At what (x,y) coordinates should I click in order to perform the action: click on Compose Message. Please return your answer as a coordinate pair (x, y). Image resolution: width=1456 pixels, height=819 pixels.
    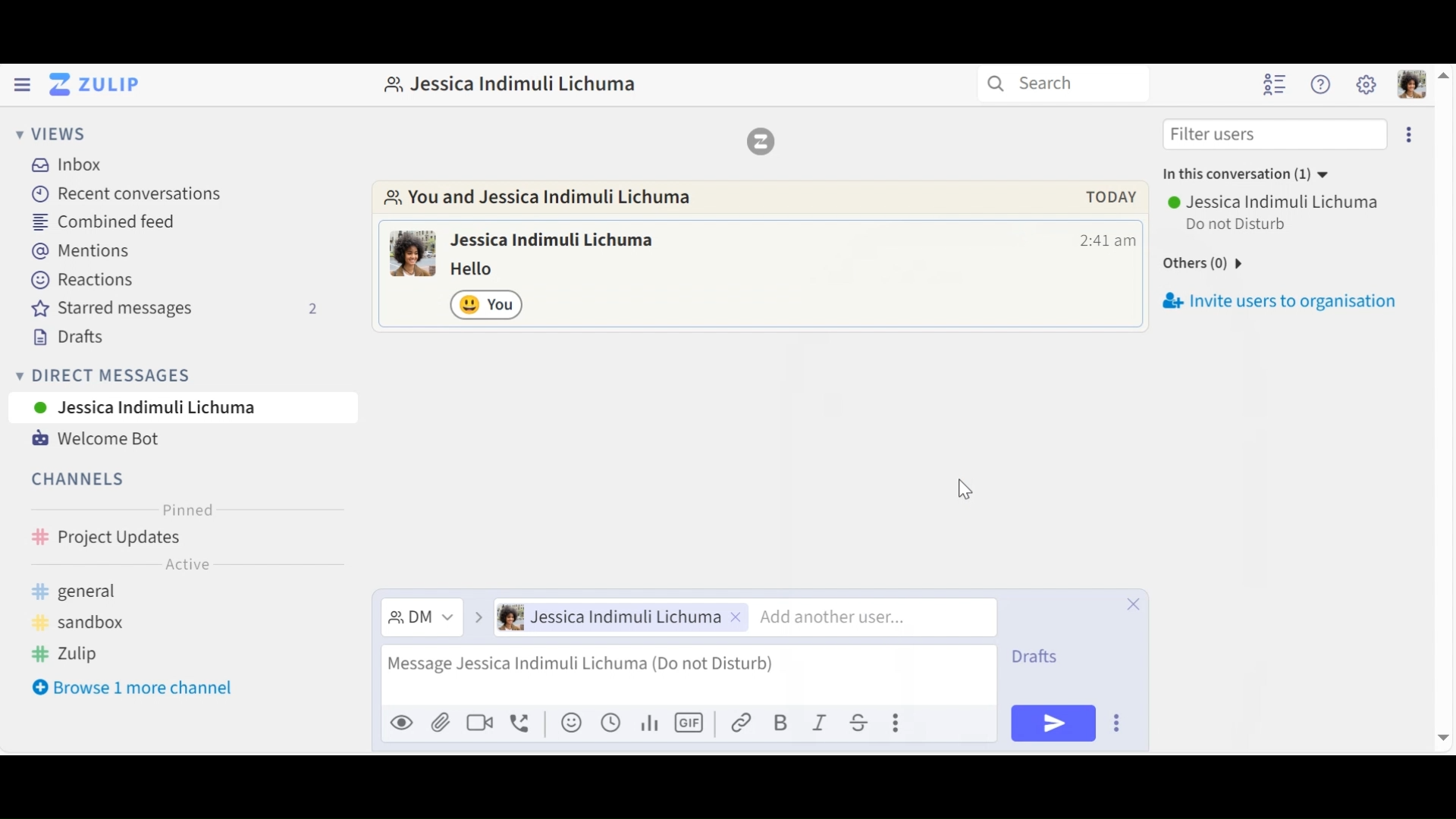
    Looking at the image, I should click on (688, 677).